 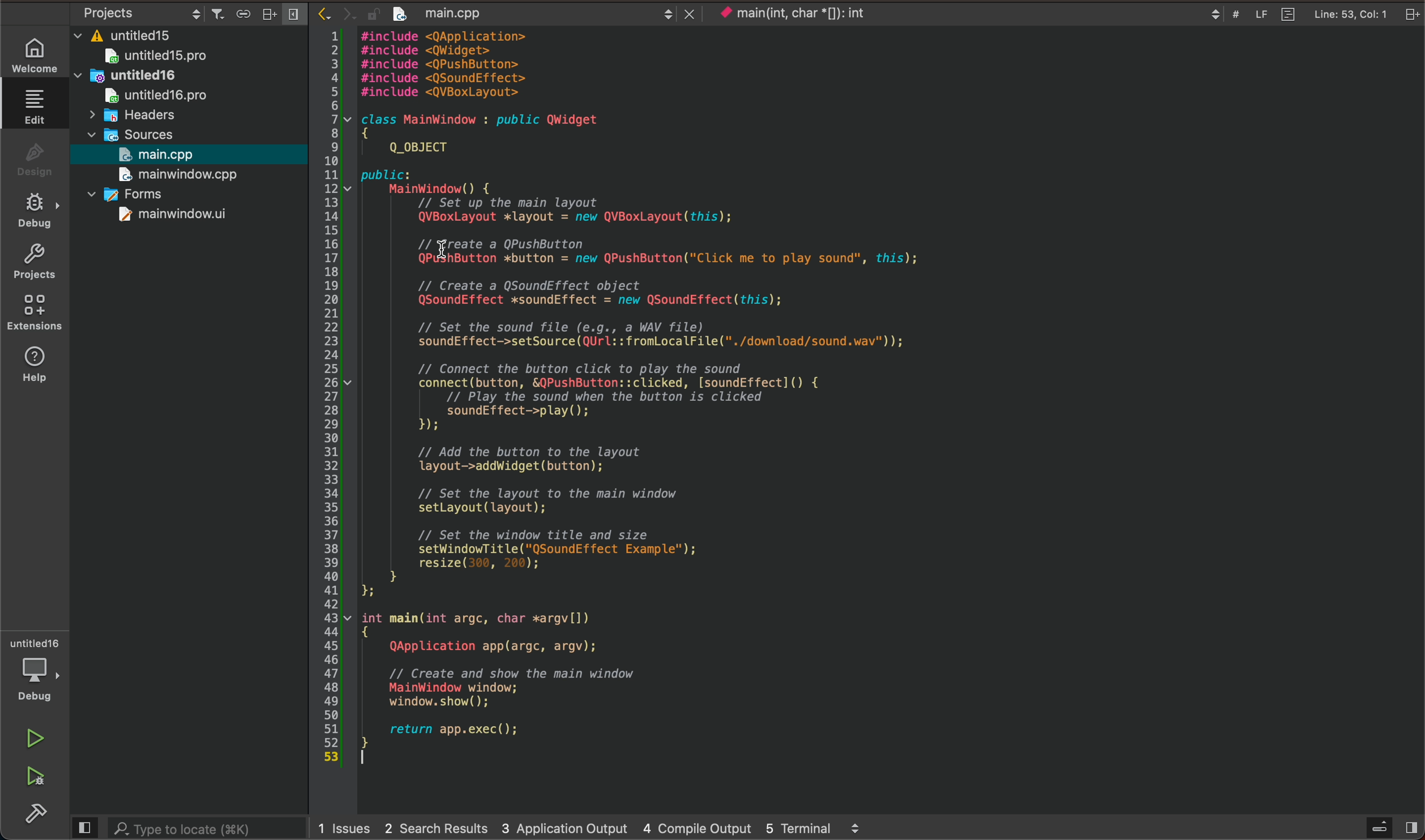 What do you see at coordinates (439, 244) in the screenshot?
I see `cursor` at bounding box center [439, 244].